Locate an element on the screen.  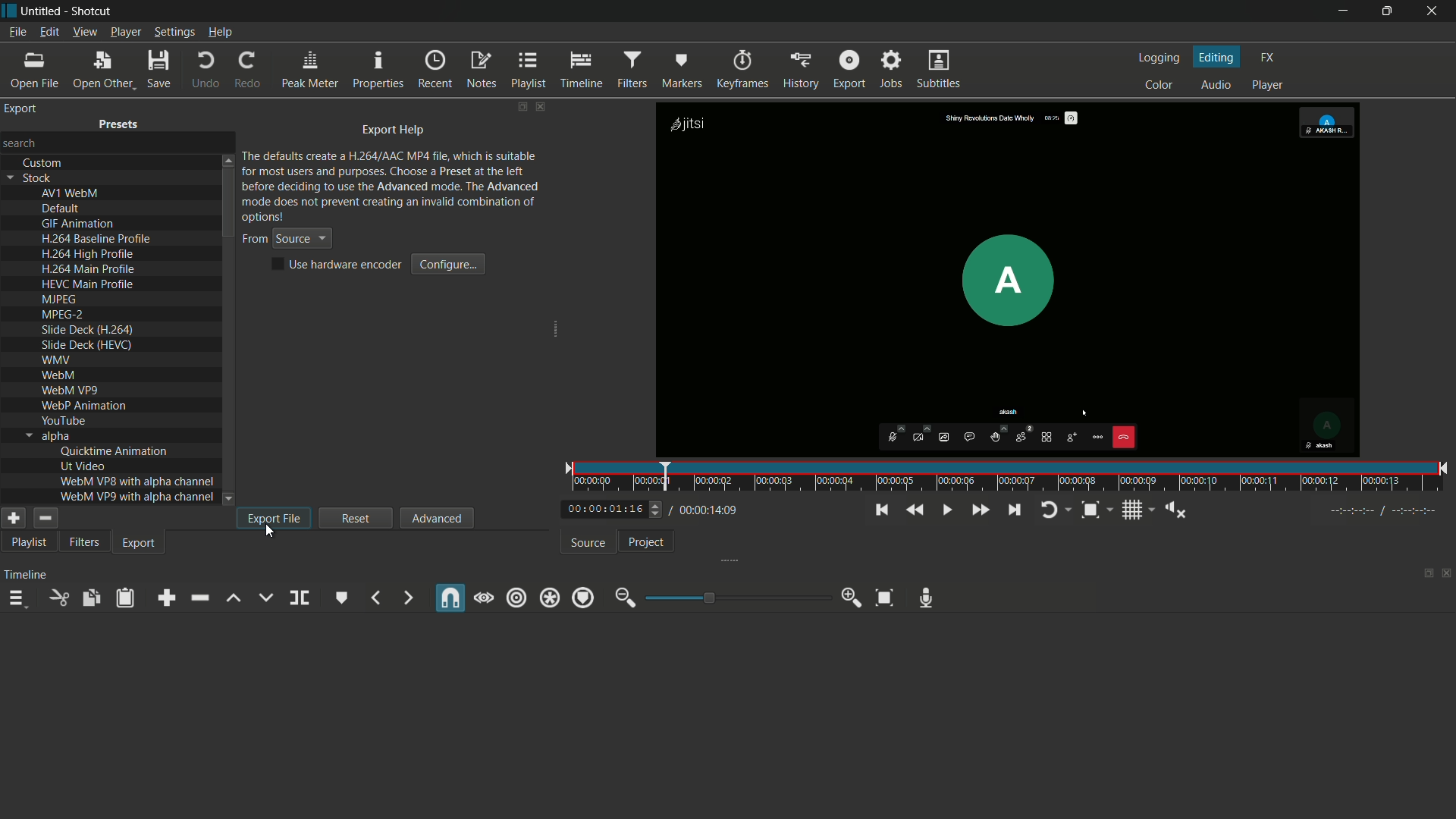
append is located at coordinates (163, 598).